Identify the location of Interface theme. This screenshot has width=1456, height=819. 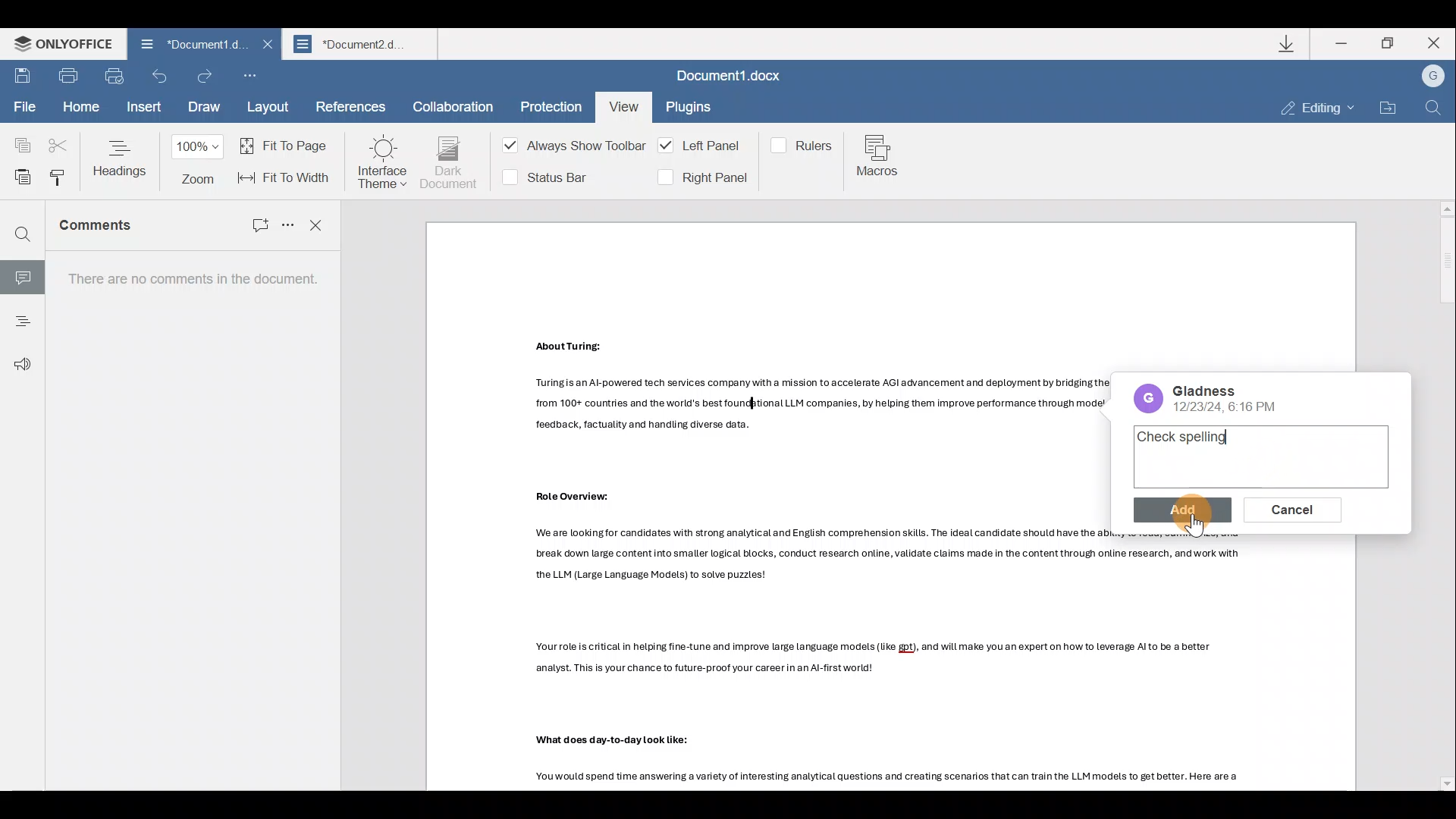
(382, 162).